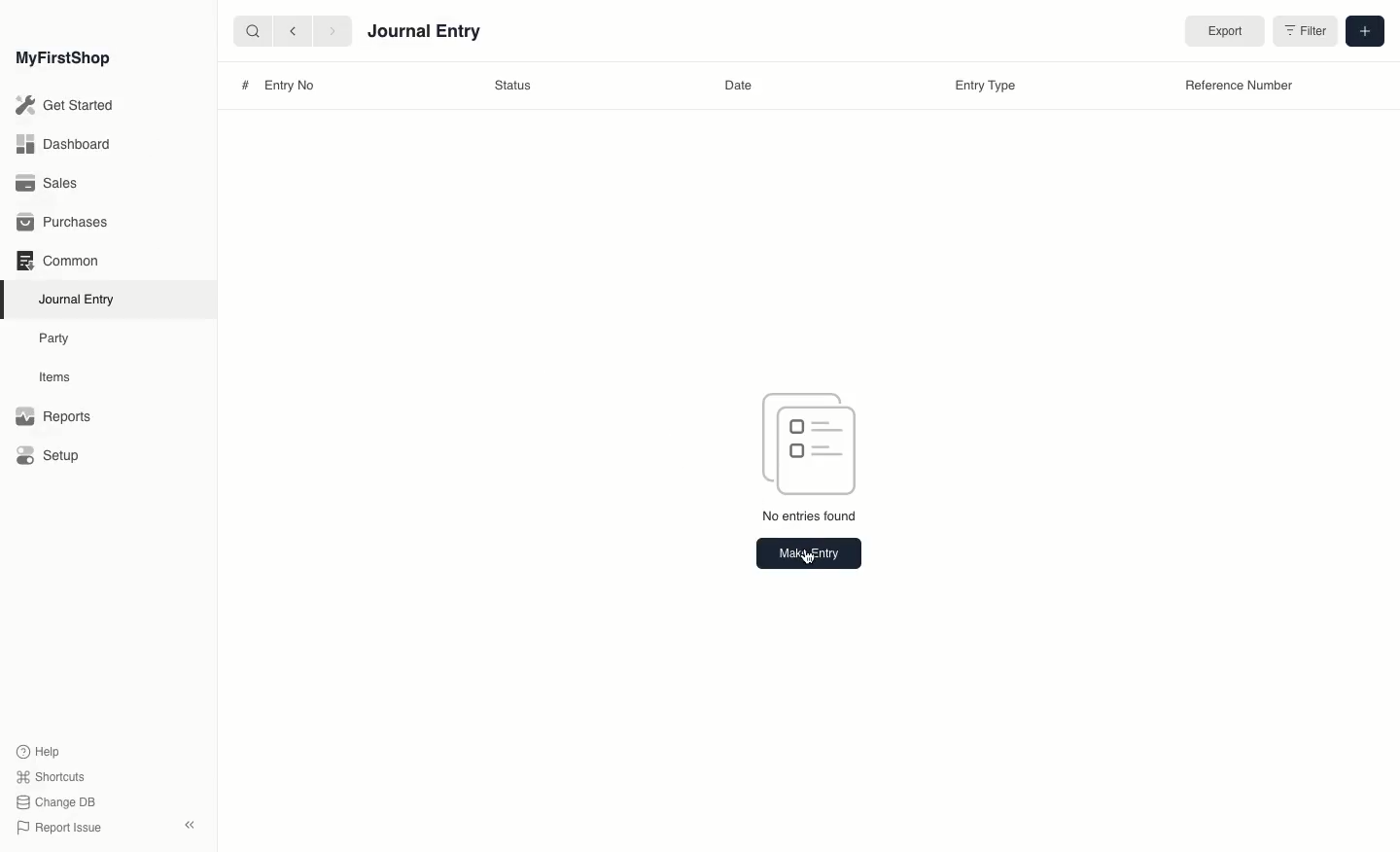  I want to click on Dashboard, so click(62, 143).